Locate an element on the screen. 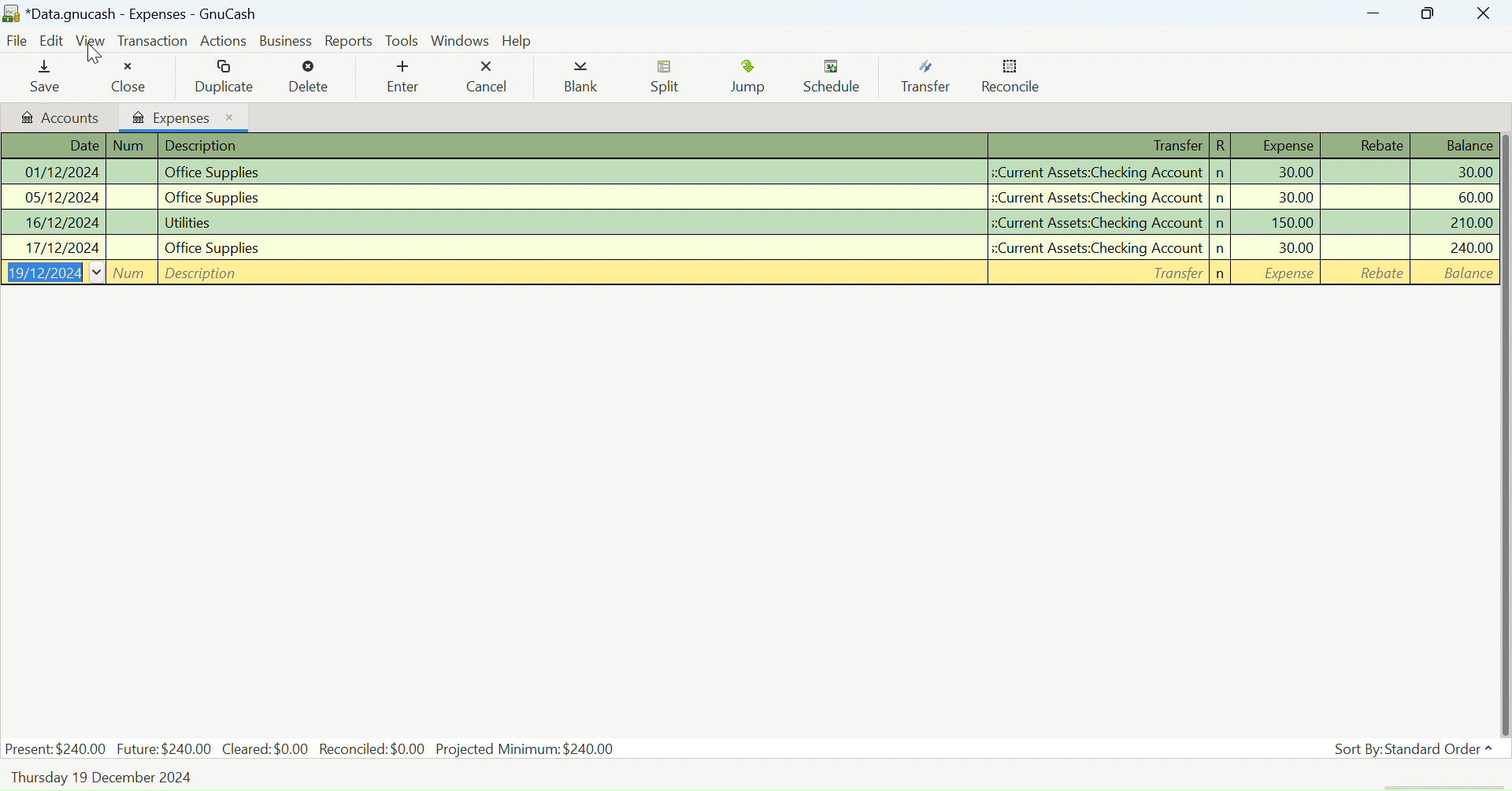 The image size is (1512, 791). File is located at coordinates (16, 43).